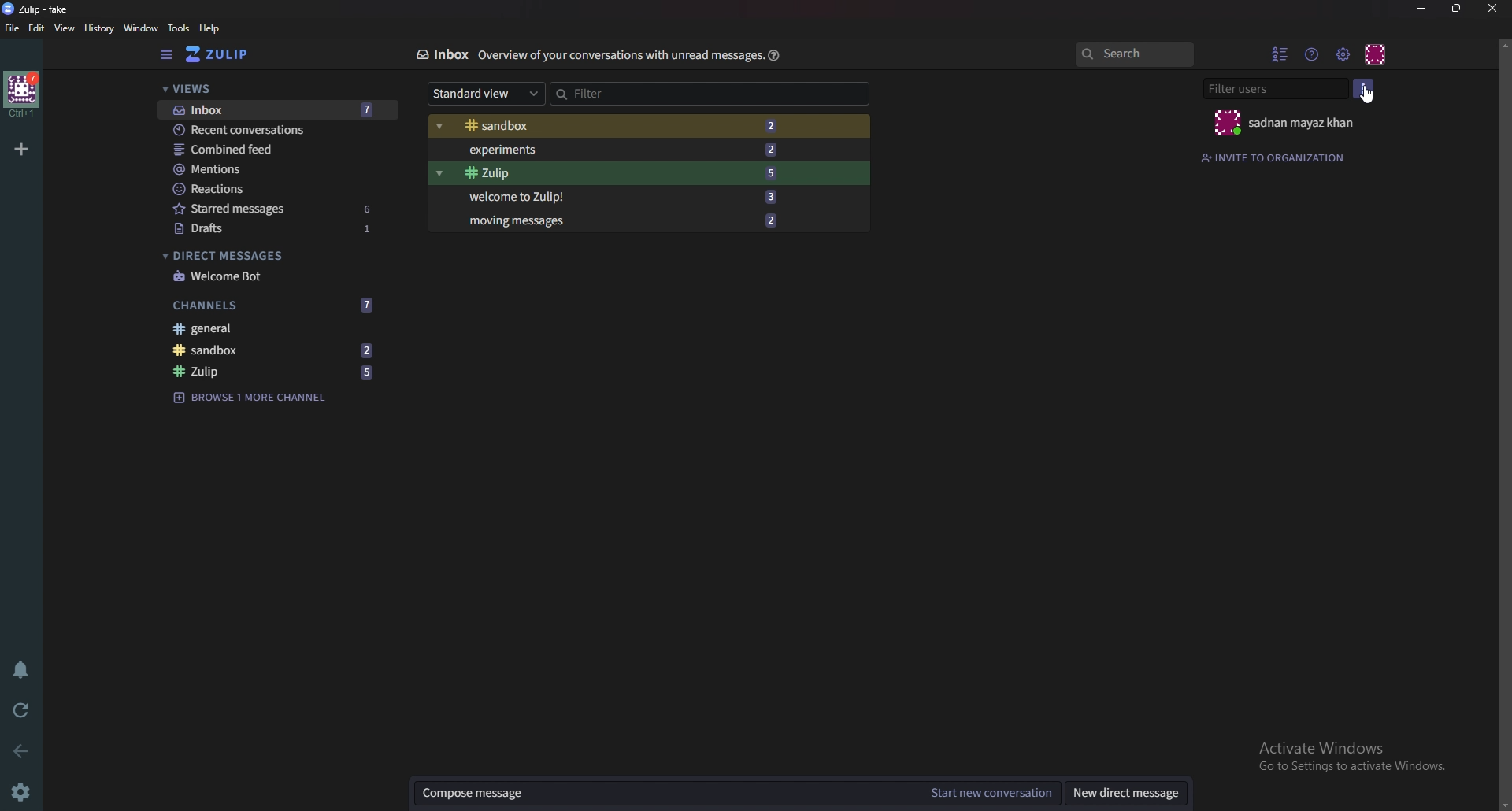  What do you see at coordinates (276, 171) in the screenshot?
I see `Mentions` at bounding box center [276, 171].